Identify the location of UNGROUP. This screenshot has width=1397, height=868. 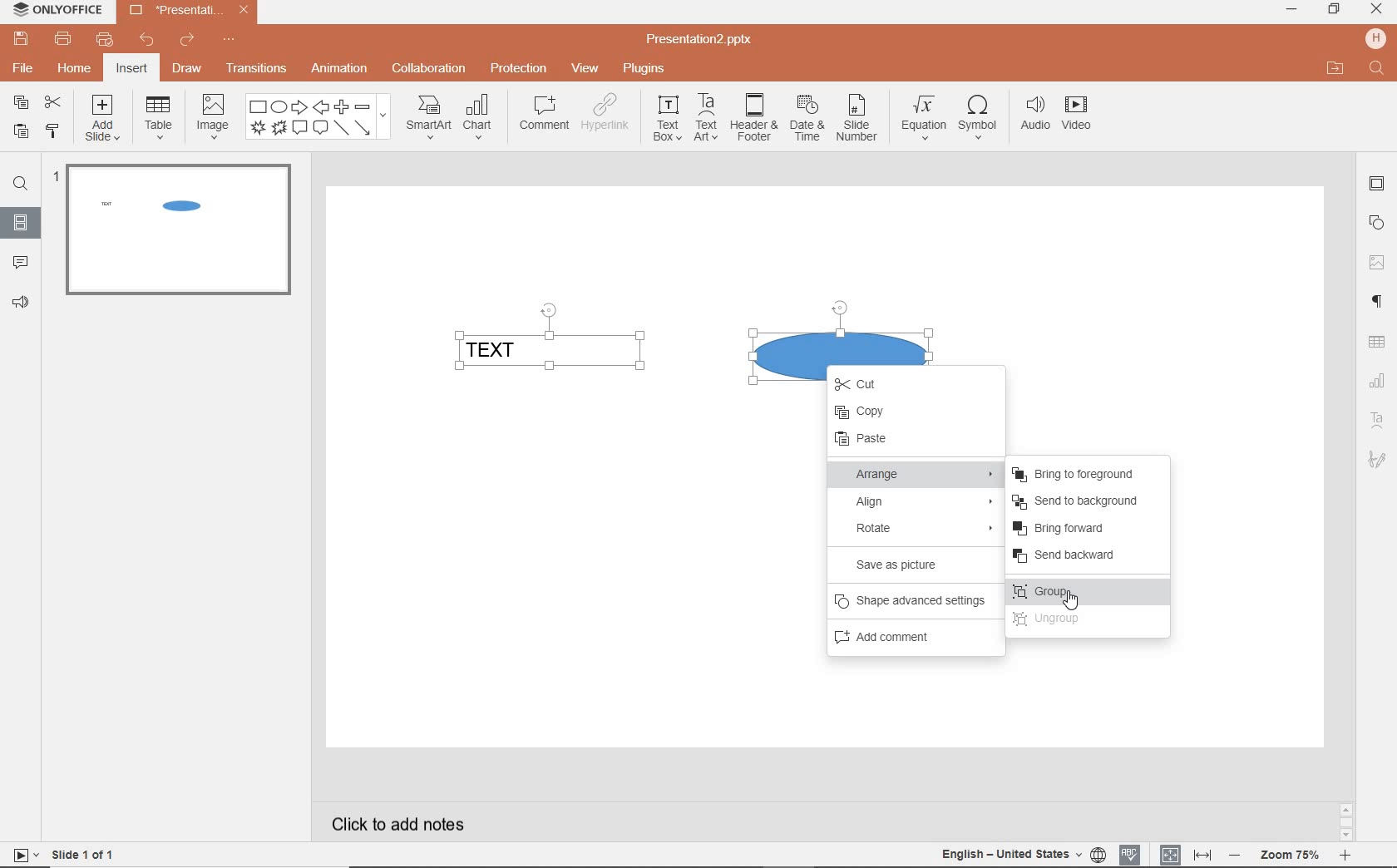
(1086, 620).